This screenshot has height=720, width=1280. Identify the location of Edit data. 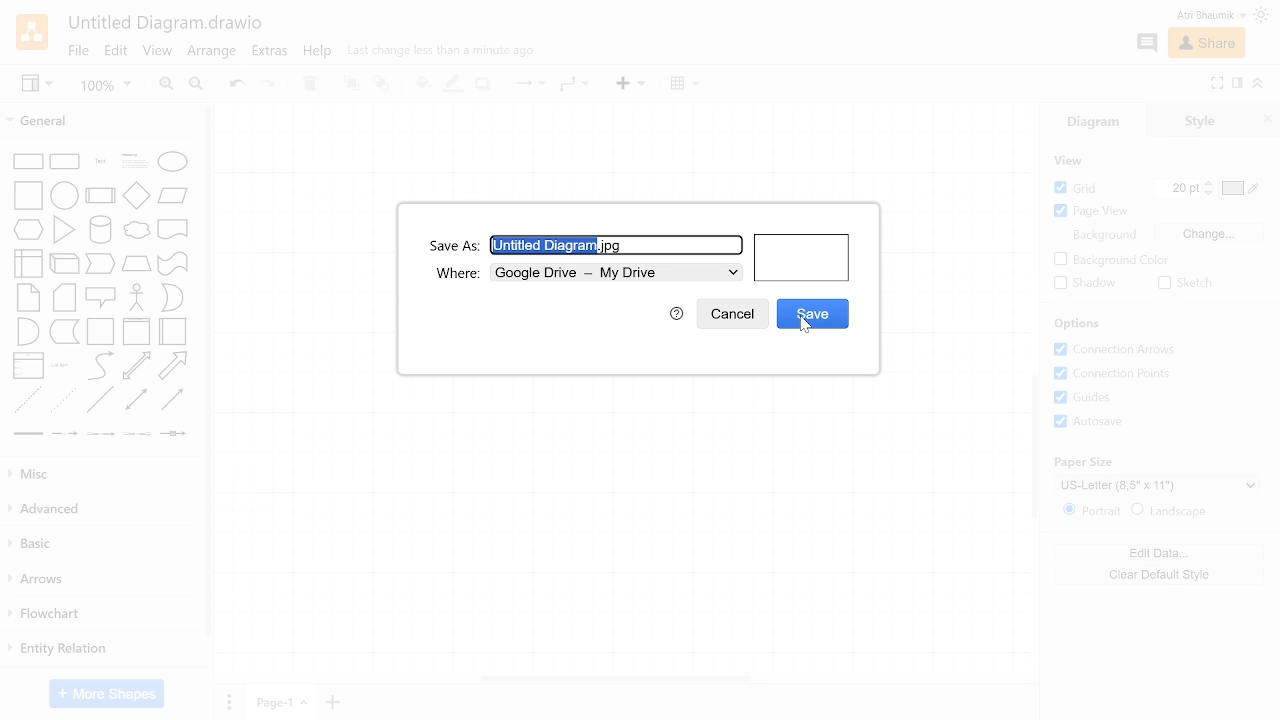
(1155, 551).